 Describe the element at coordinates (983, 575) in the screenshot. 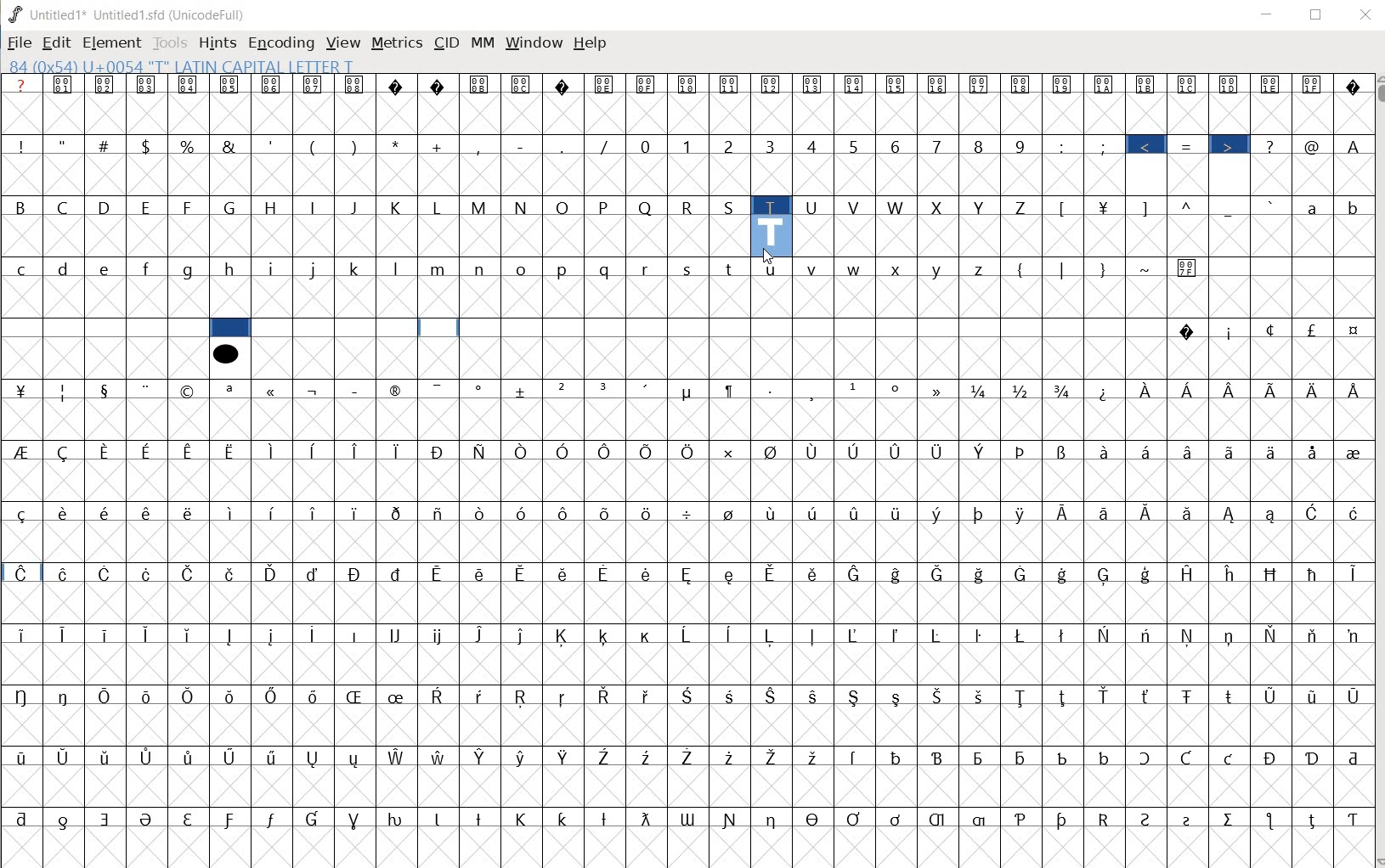

I see `Symbol` at that location.